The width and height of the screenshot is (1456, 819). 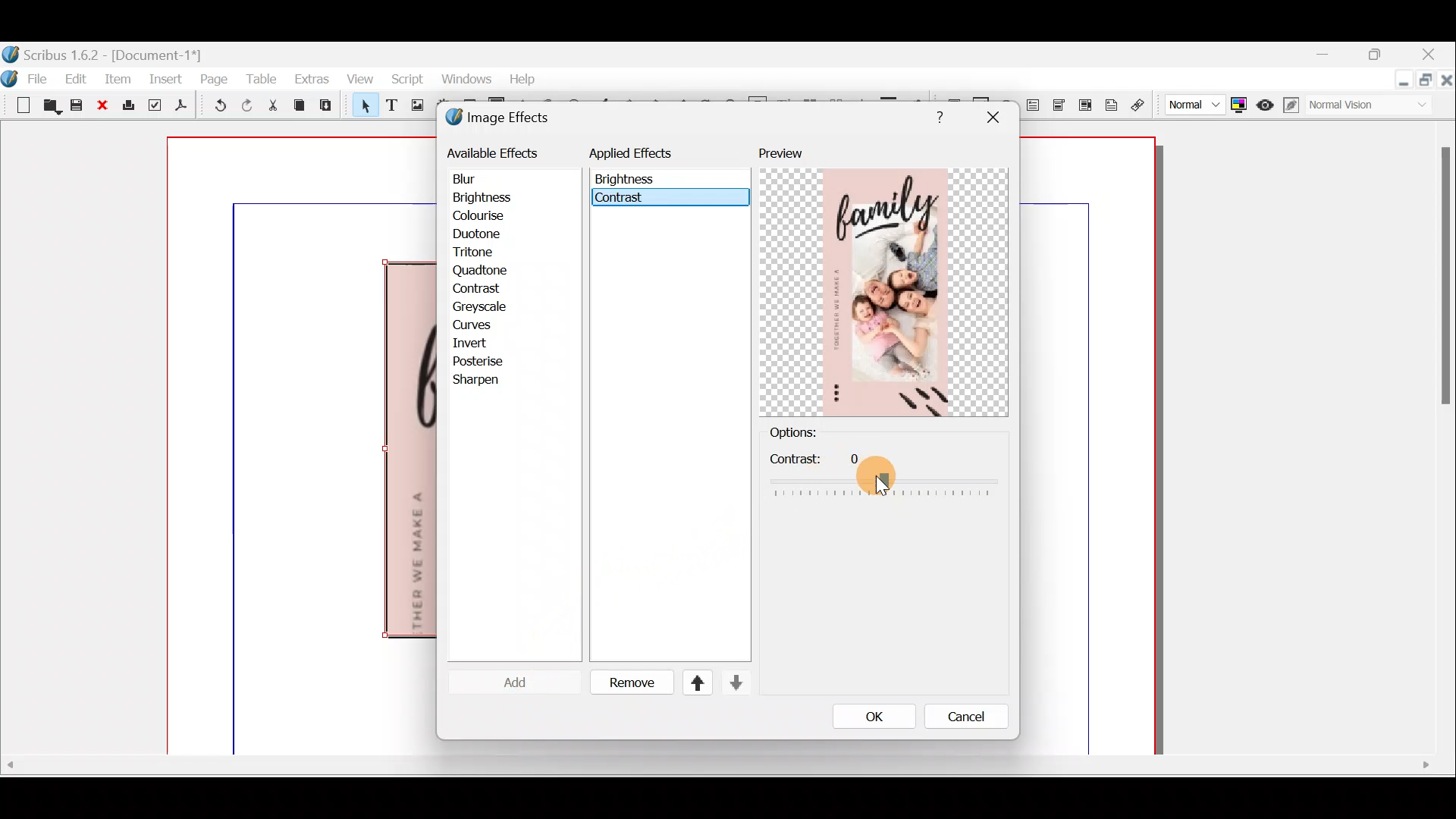 I want to click on Options, so click(x=818, y=434).